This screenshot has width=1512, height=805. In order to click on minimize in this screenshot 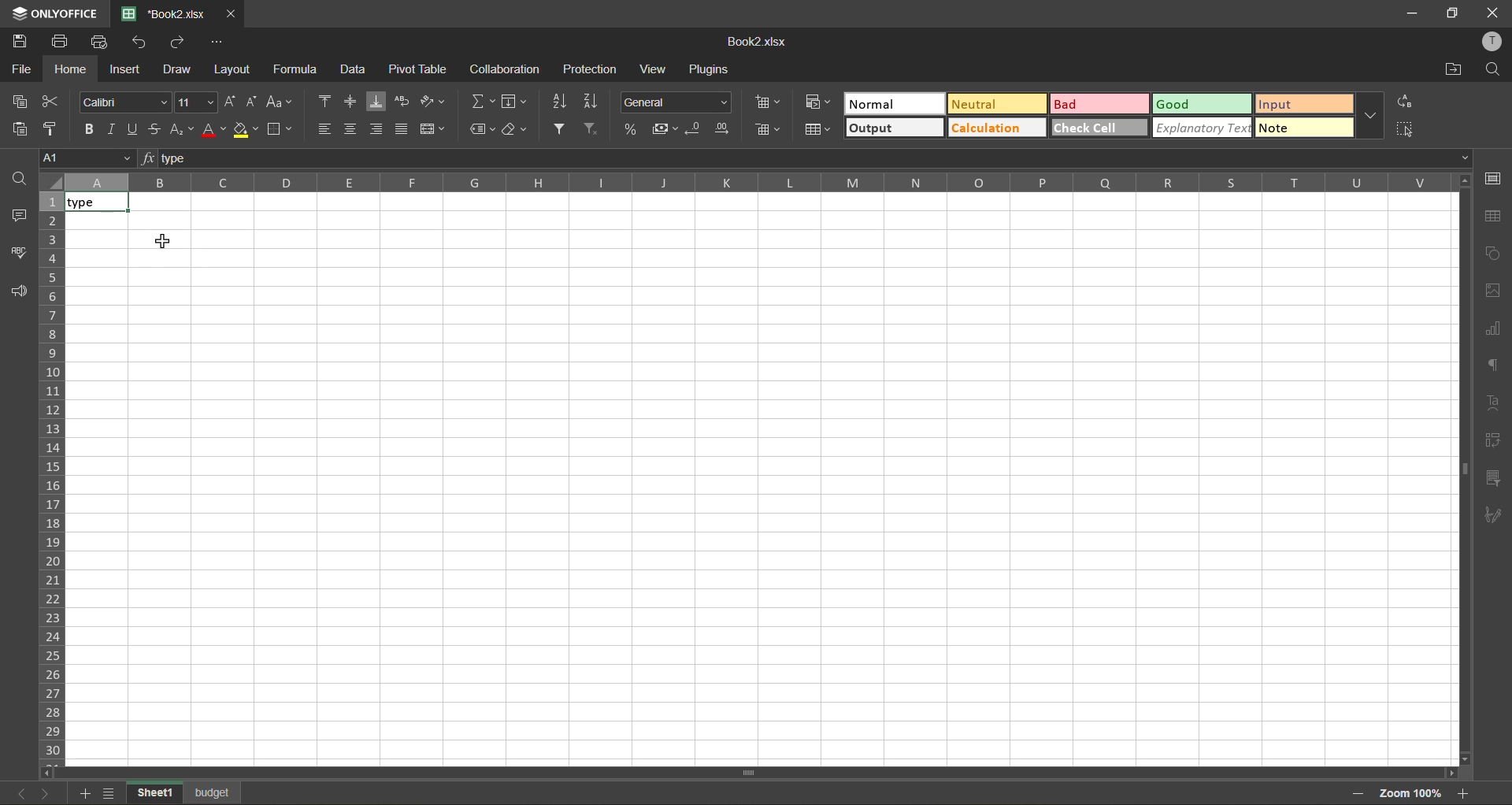, I will do `click(1414, 13)`.